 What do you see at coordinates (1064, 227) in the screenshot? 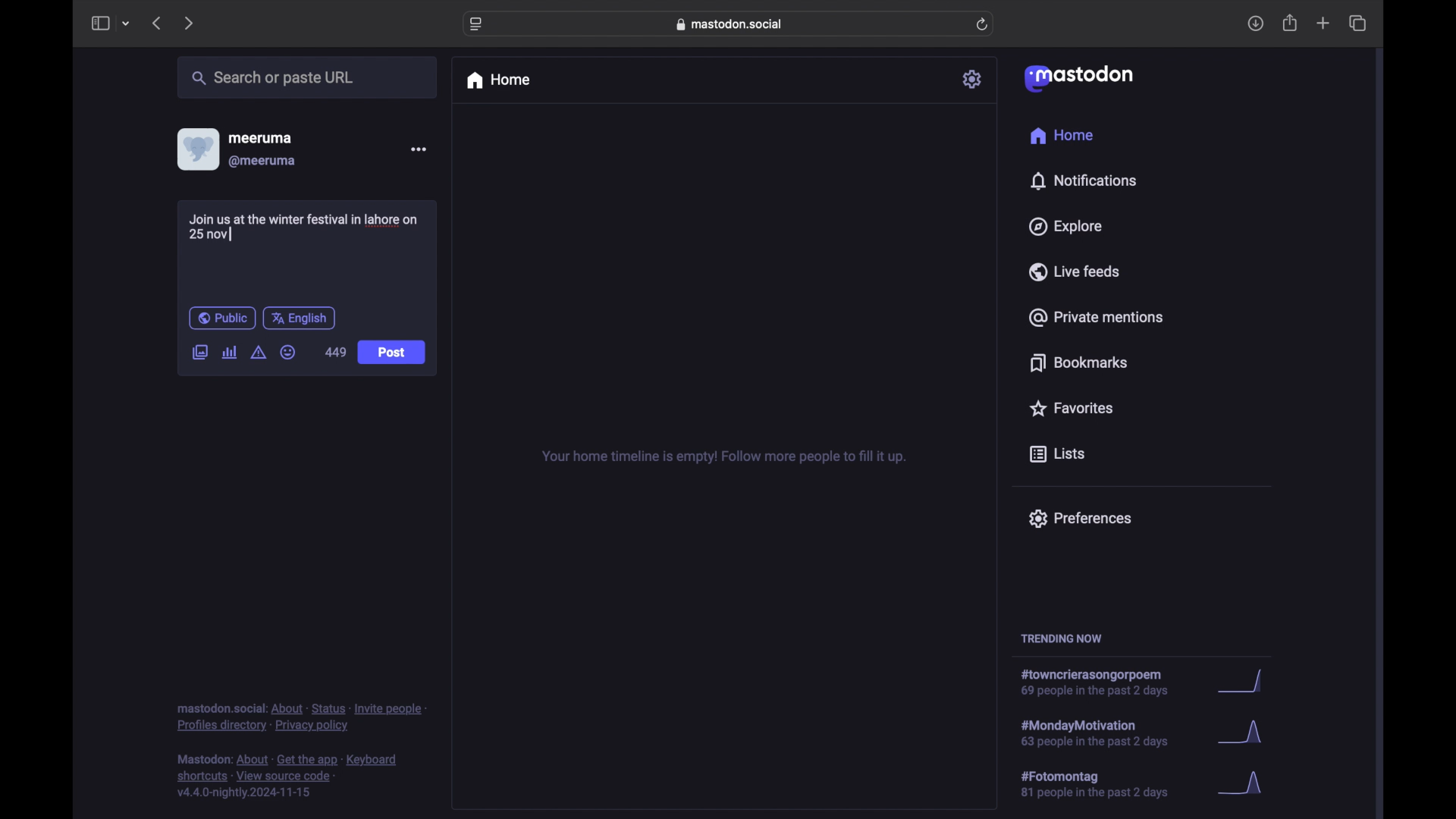
I see `explore` at bounding box center [1064, 227].